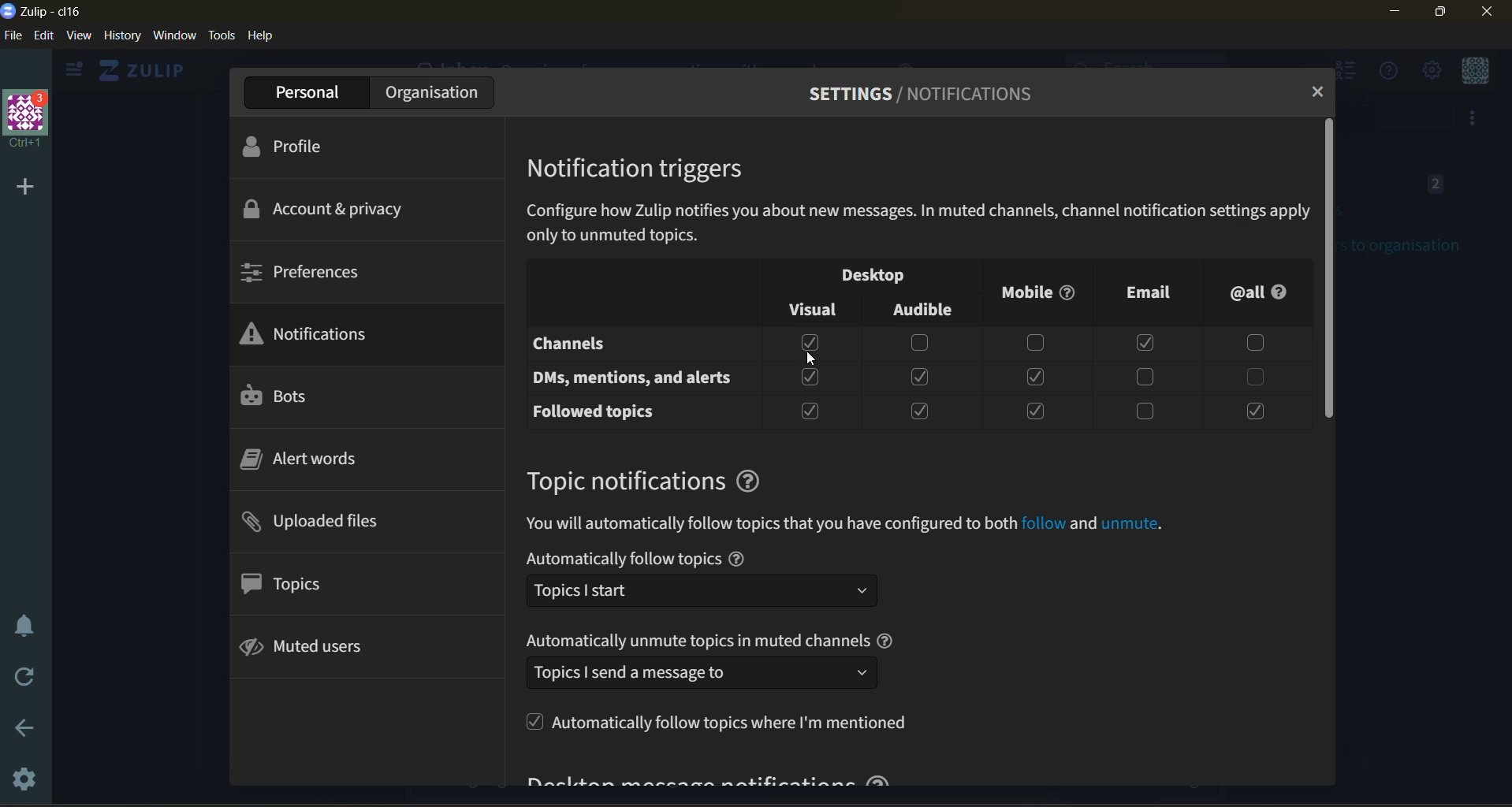 Image resolution: width=1512 pixels, height=807 pixels. Describe the element at coordinates (701, 672) in the screenshot. I see `select how to automatically unmute` at that location.